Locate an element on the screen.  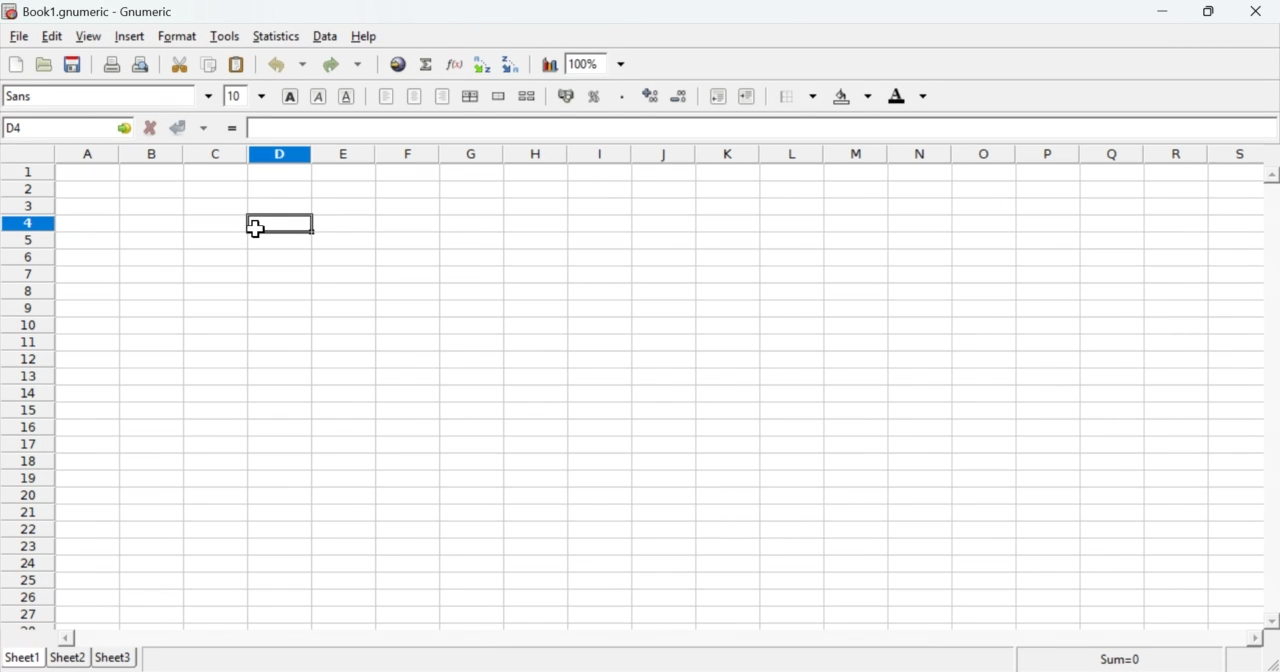
Accept change is located at coordinates (190, 129).